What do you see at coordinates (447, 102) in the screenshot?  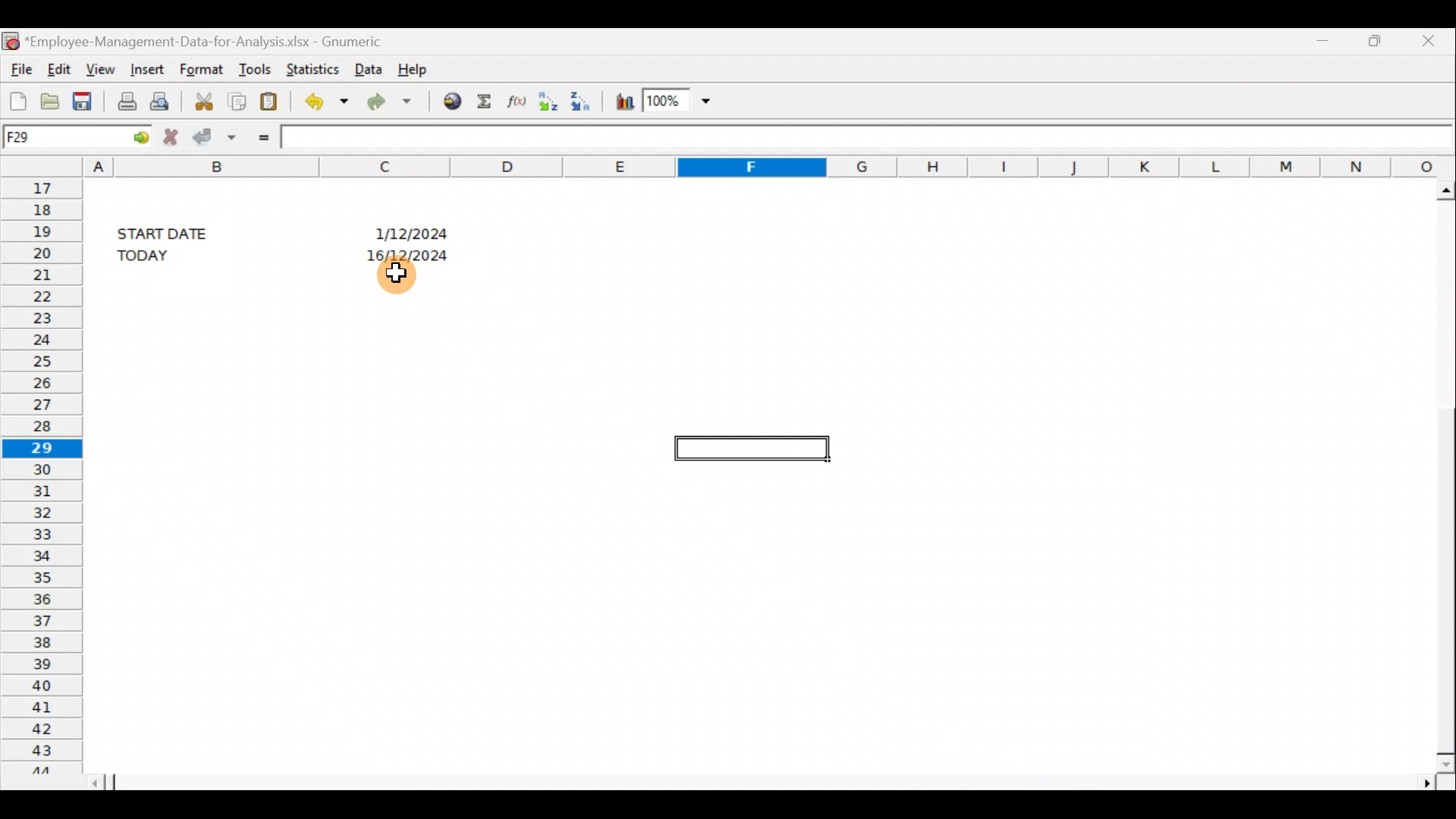 I see `Insert hyperlink` at bounding box center [447, 102].